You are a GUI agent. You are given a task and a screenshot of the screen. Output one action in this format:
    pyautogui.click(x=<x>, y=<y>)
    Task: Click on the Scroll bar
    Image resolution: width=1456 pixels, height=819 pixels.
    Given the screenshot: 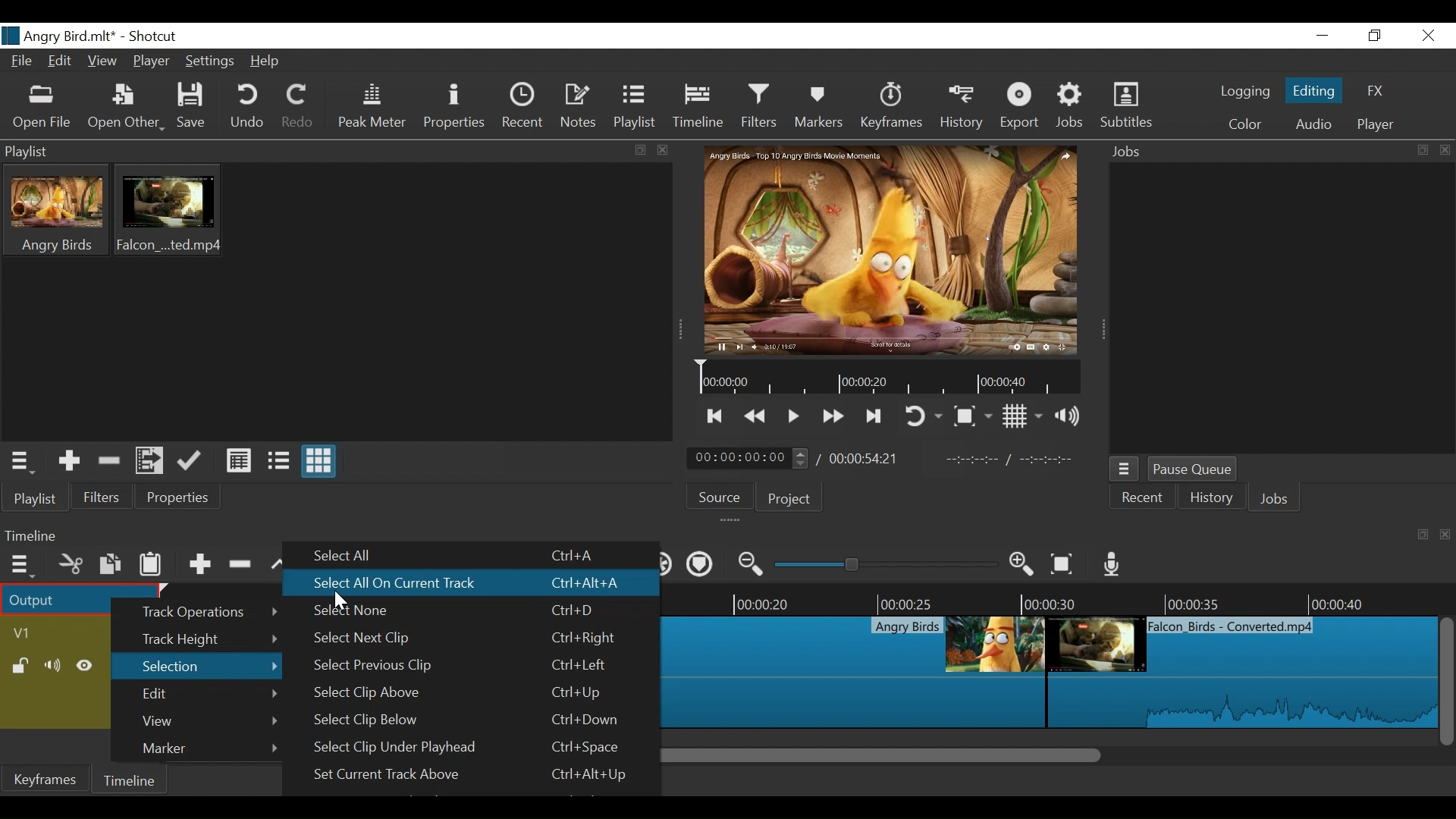 What is the action you would take?
    pyautogui.click(x=1040, y=755)
    